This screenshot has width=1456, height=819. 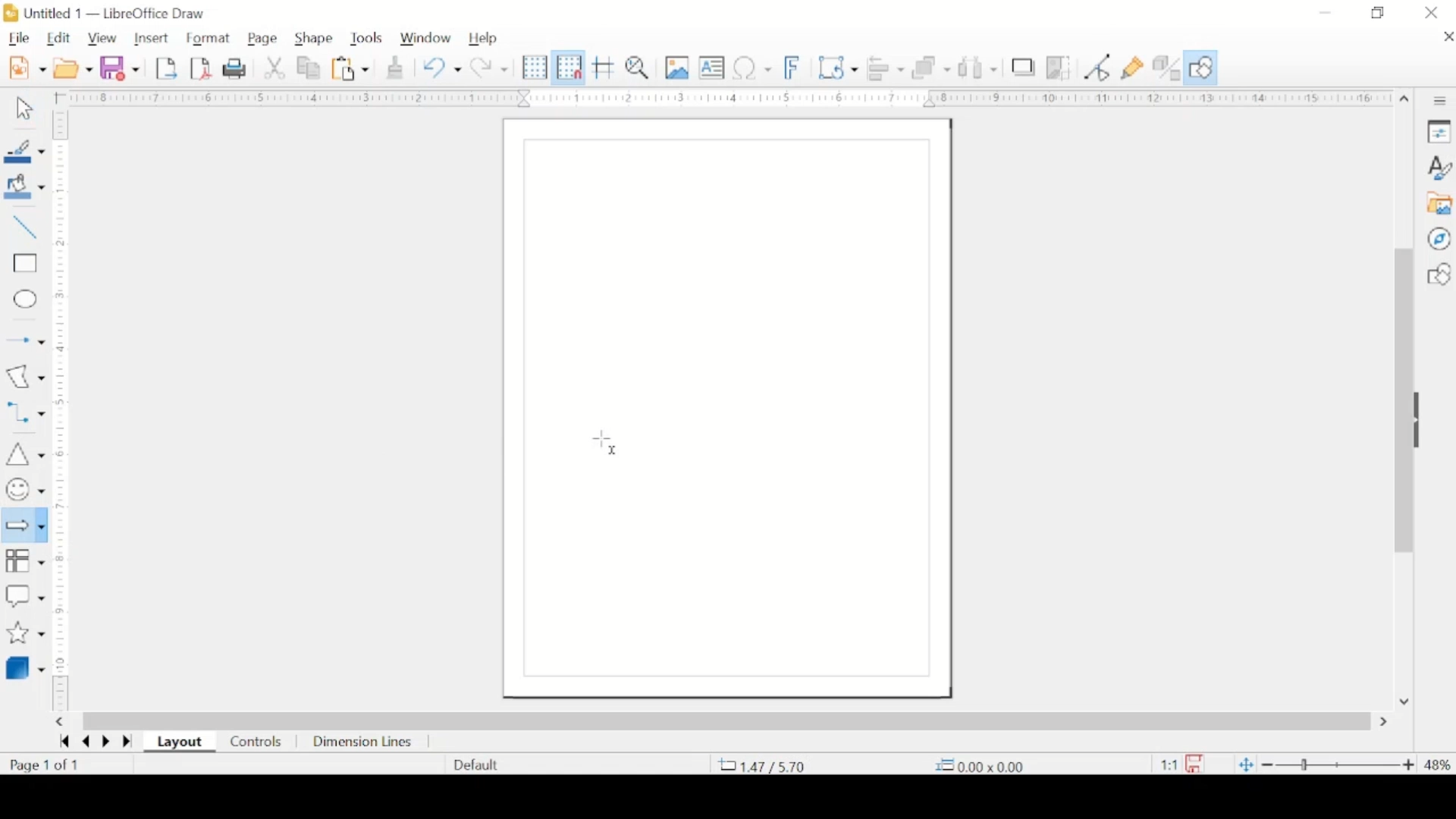 What do you see at coordinates (1097, 67) in the screenshot?
I see `toggle point edit mode` at bounding box center [1097, 67].